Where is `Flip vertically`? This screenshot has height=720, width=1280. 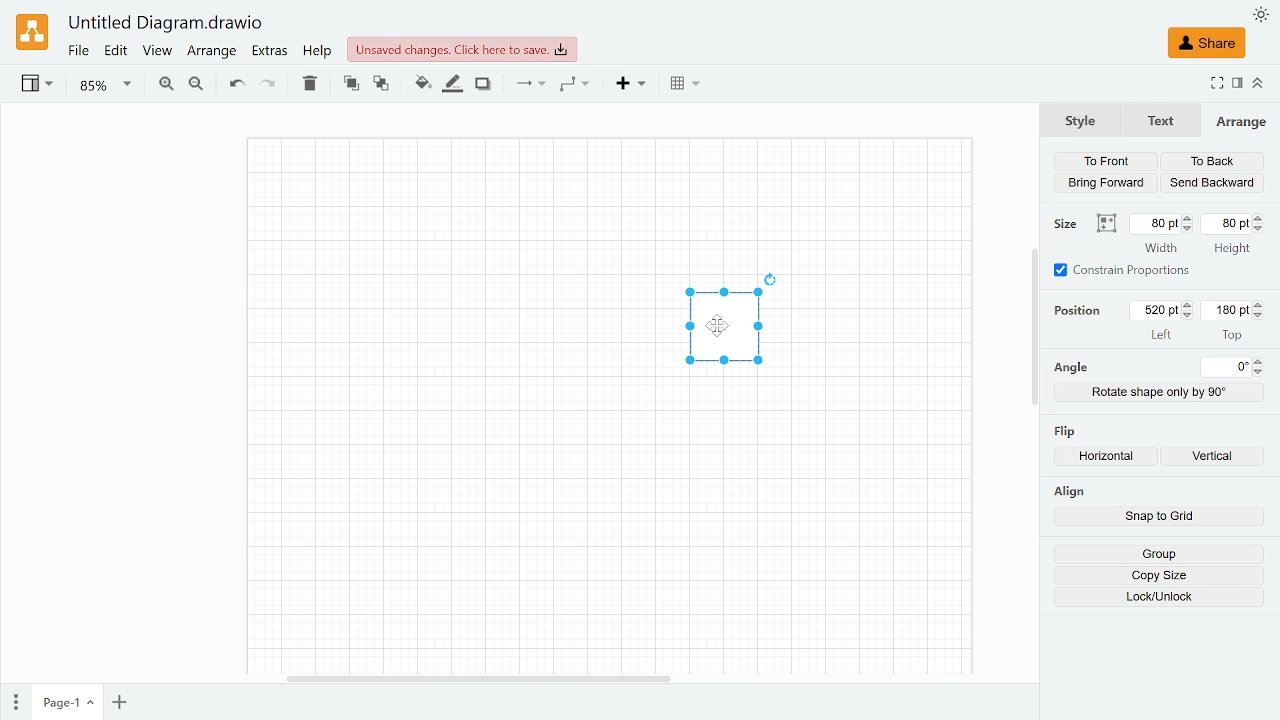 Flip vertically is located at coordinates (1218, 458).